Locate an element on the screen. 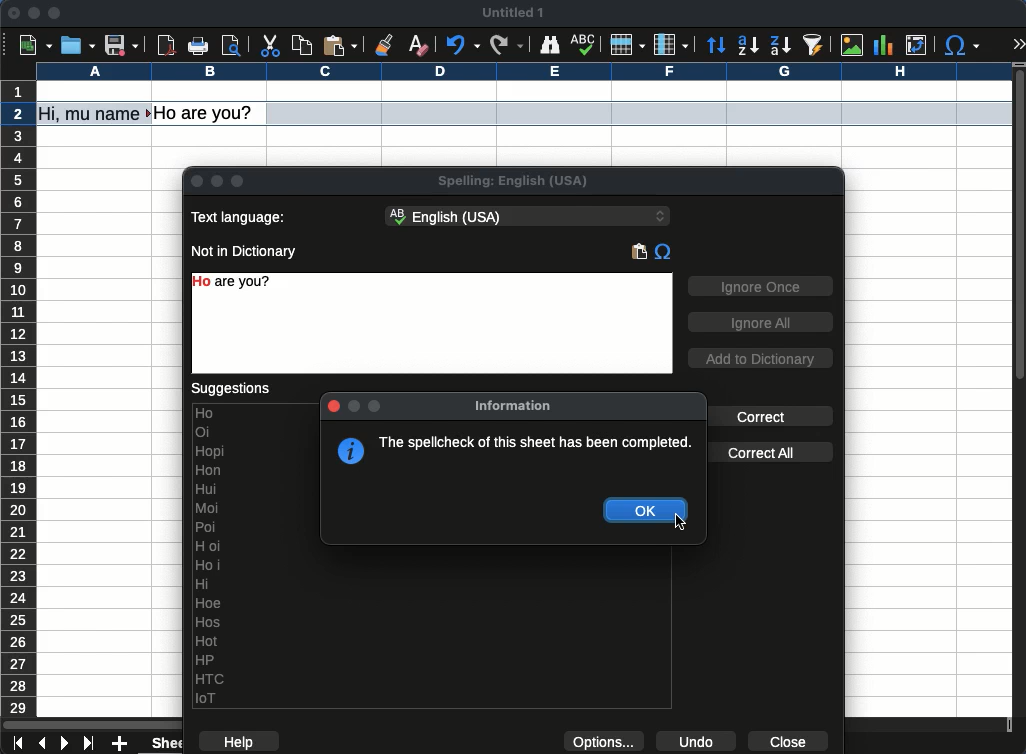  row is located at coordinates (20, 424).